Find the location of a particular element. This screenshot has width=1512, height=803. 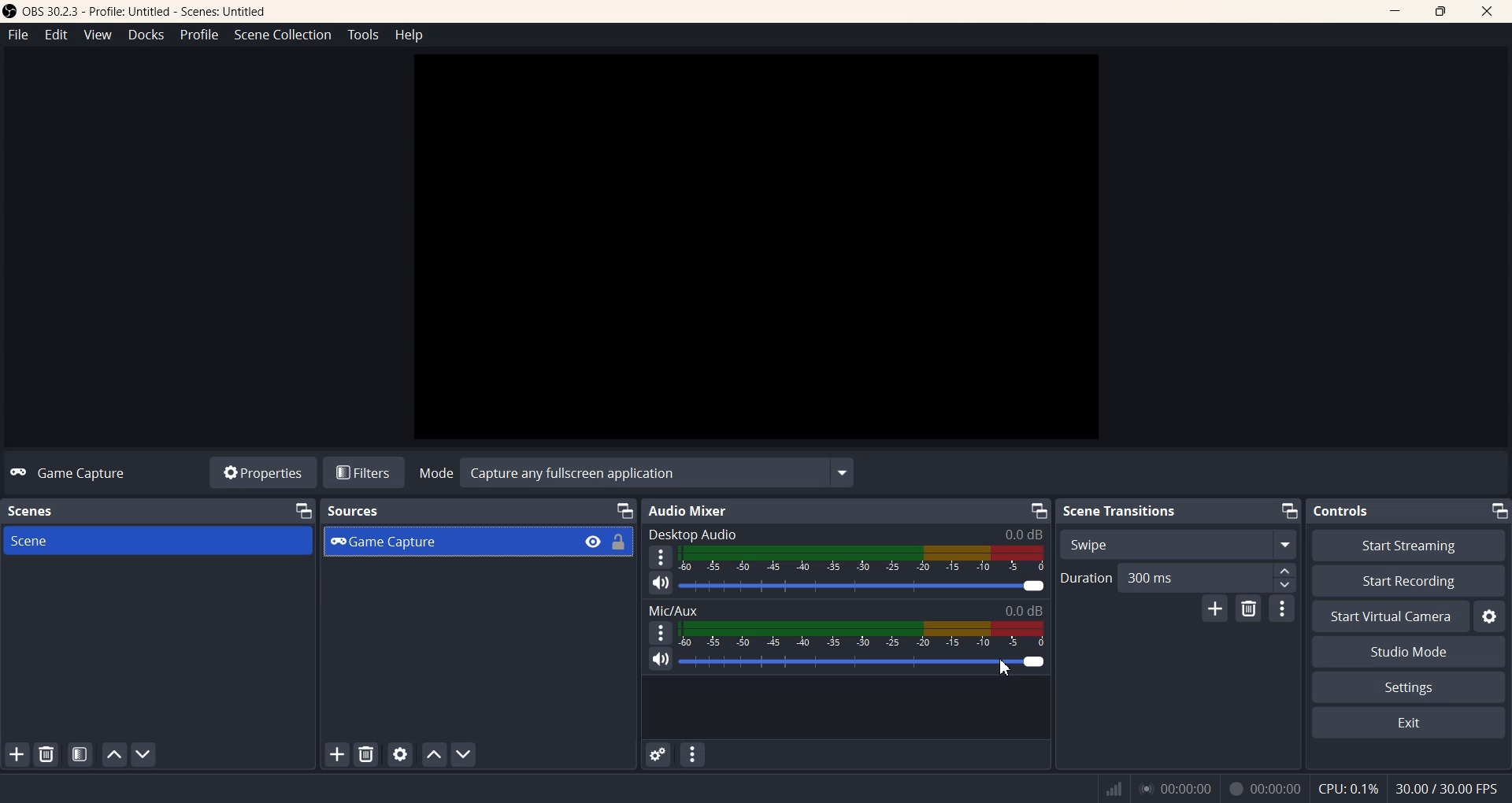

Edit is located at coordinates (57, 34).